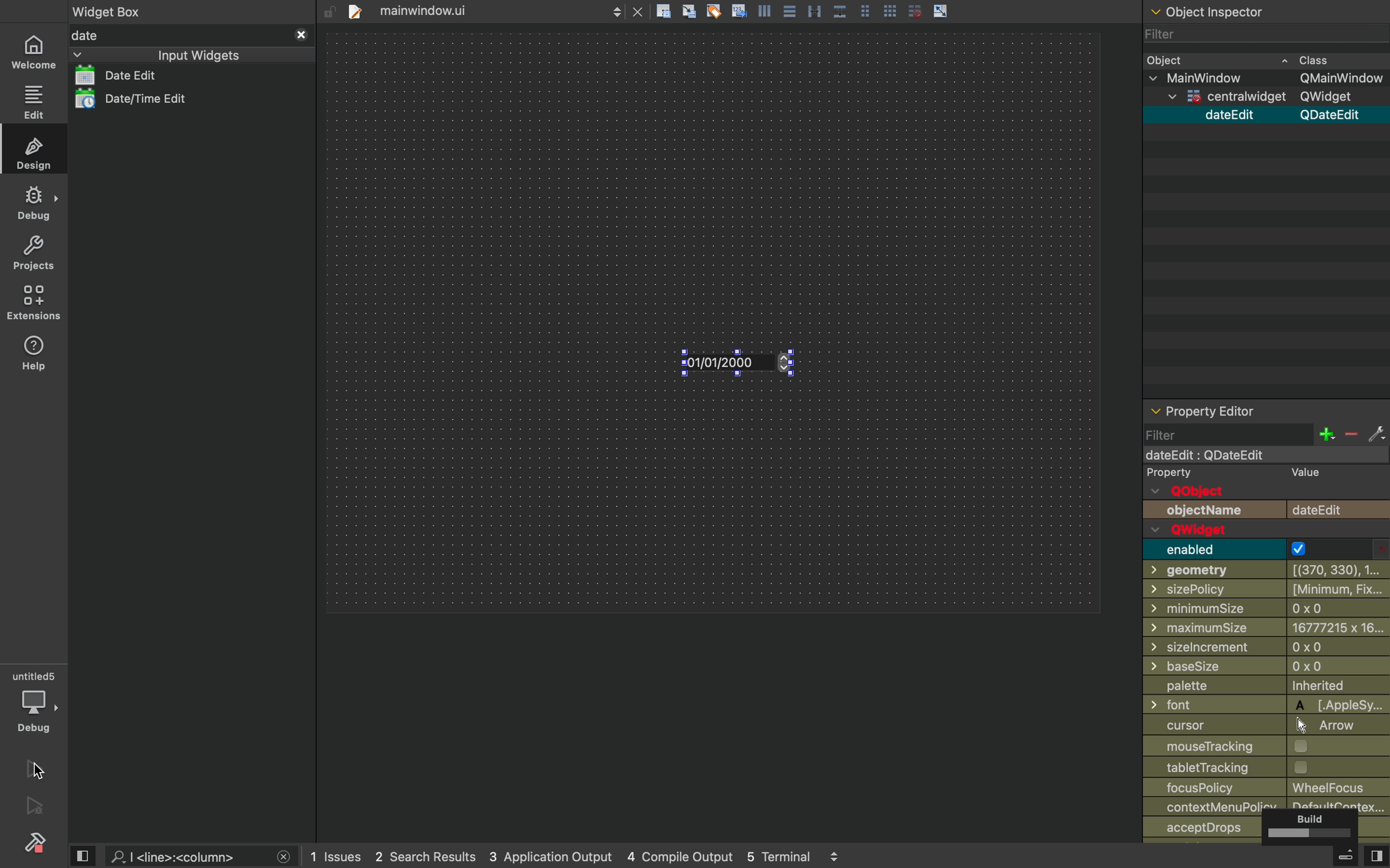 The width and height of the screenshot is (1390, 868). Describe the element at coordinates (1268, 571) in the screenshot. I see `geometry` at that location.